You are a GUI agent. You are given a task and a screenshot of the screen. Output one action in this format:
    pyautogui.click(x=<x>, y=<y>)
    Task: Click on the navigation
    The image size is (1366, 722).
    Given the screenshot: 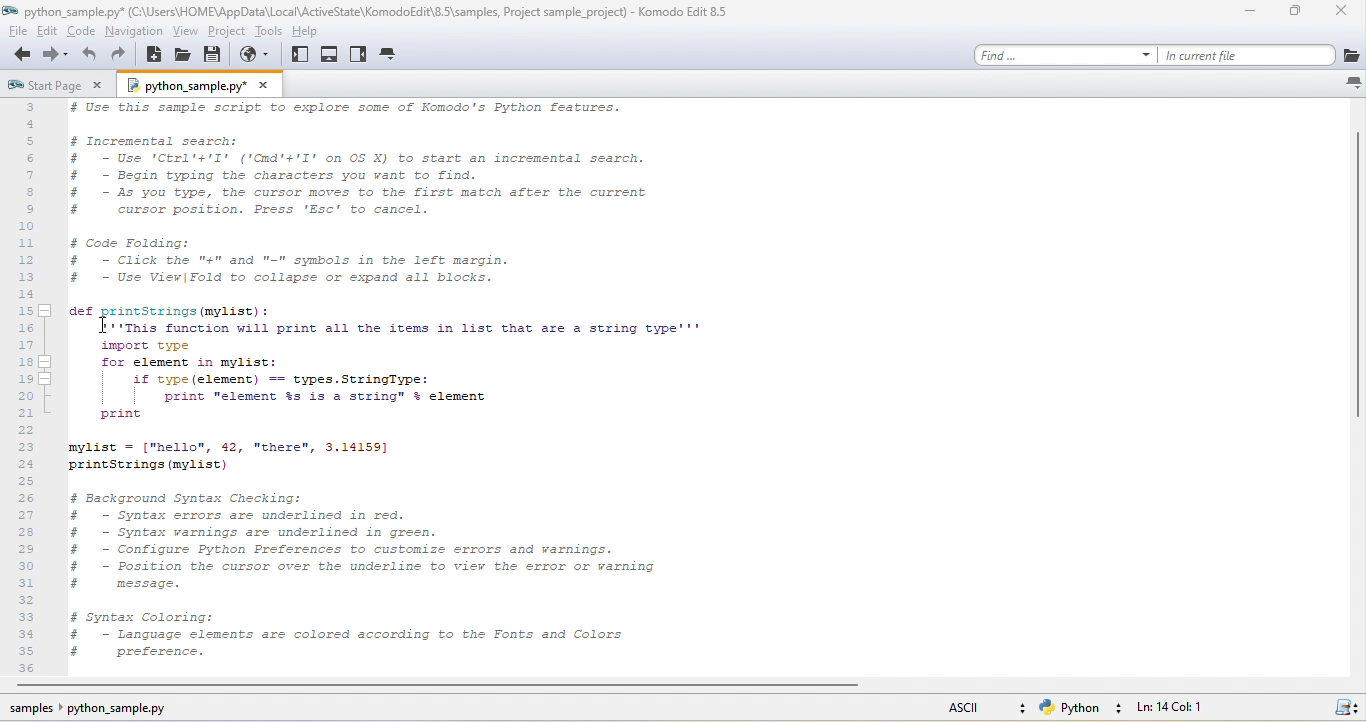 What is the action you would take?
    pyautogui.click(x=134, y=31)
    